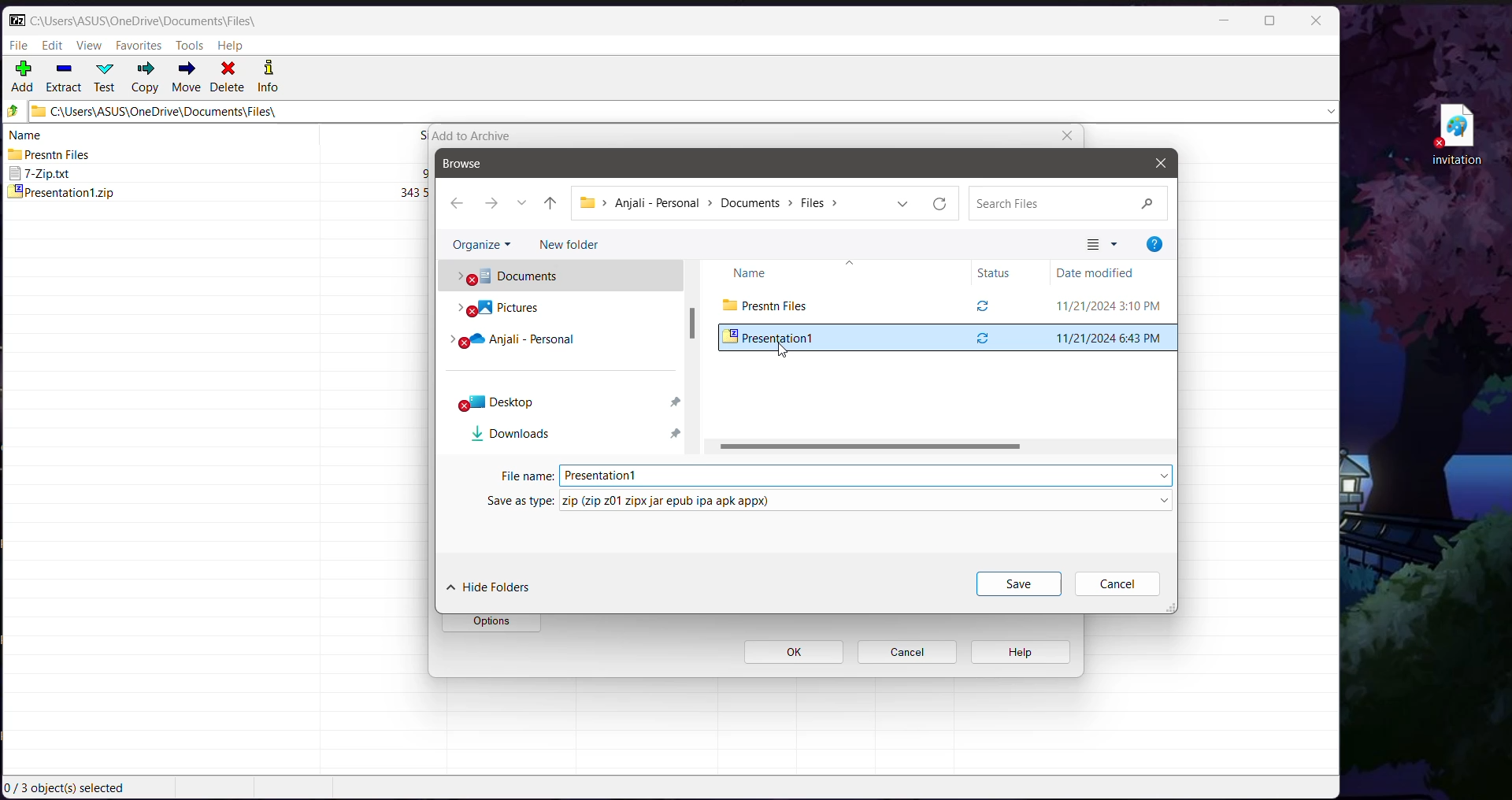 This screenshot has width=1512, height=800. Describe the element at coordinates (1454, 135) in the screenshot. I see `File on Desktop` at that location.